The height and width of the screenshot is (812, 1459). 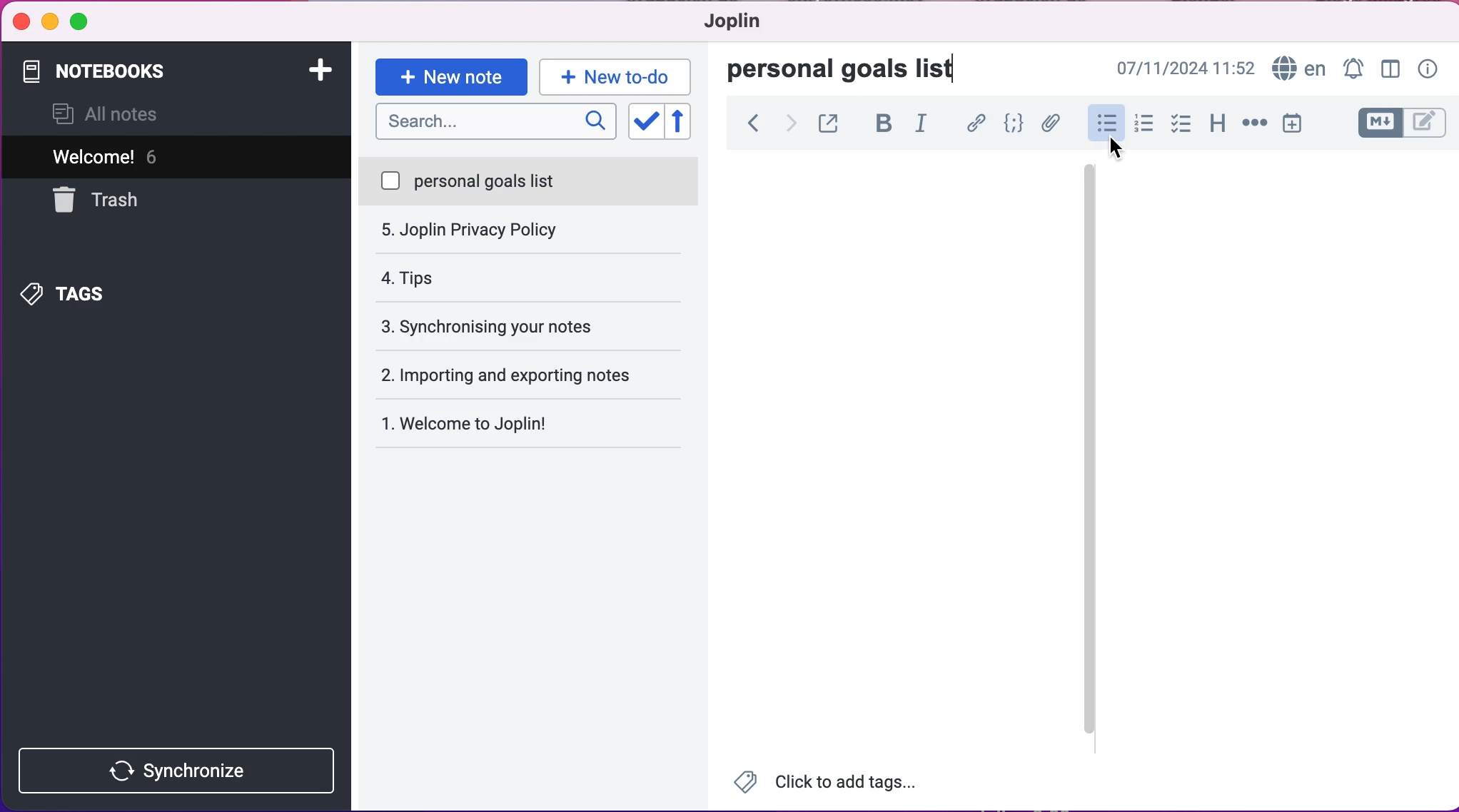 I want to click on Welcome to Joplin!, so click(x=475, y=423).